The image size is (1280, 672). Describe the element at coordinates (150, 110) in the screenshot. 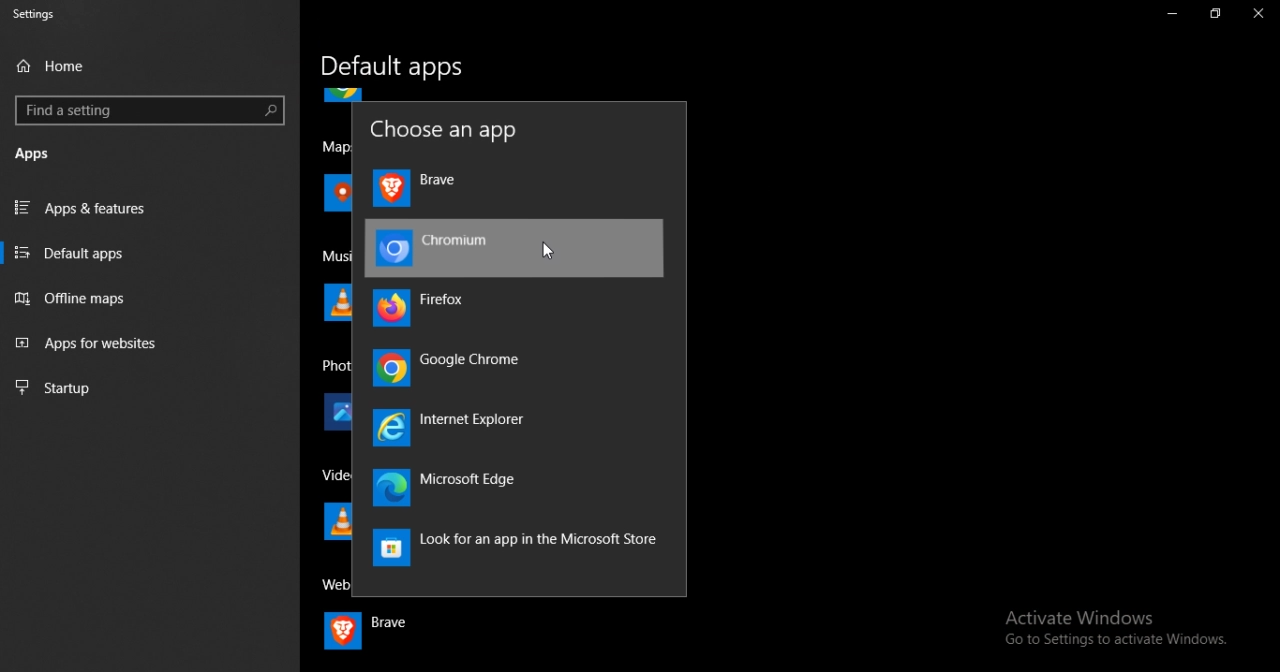

I see `find a settings` at that location.